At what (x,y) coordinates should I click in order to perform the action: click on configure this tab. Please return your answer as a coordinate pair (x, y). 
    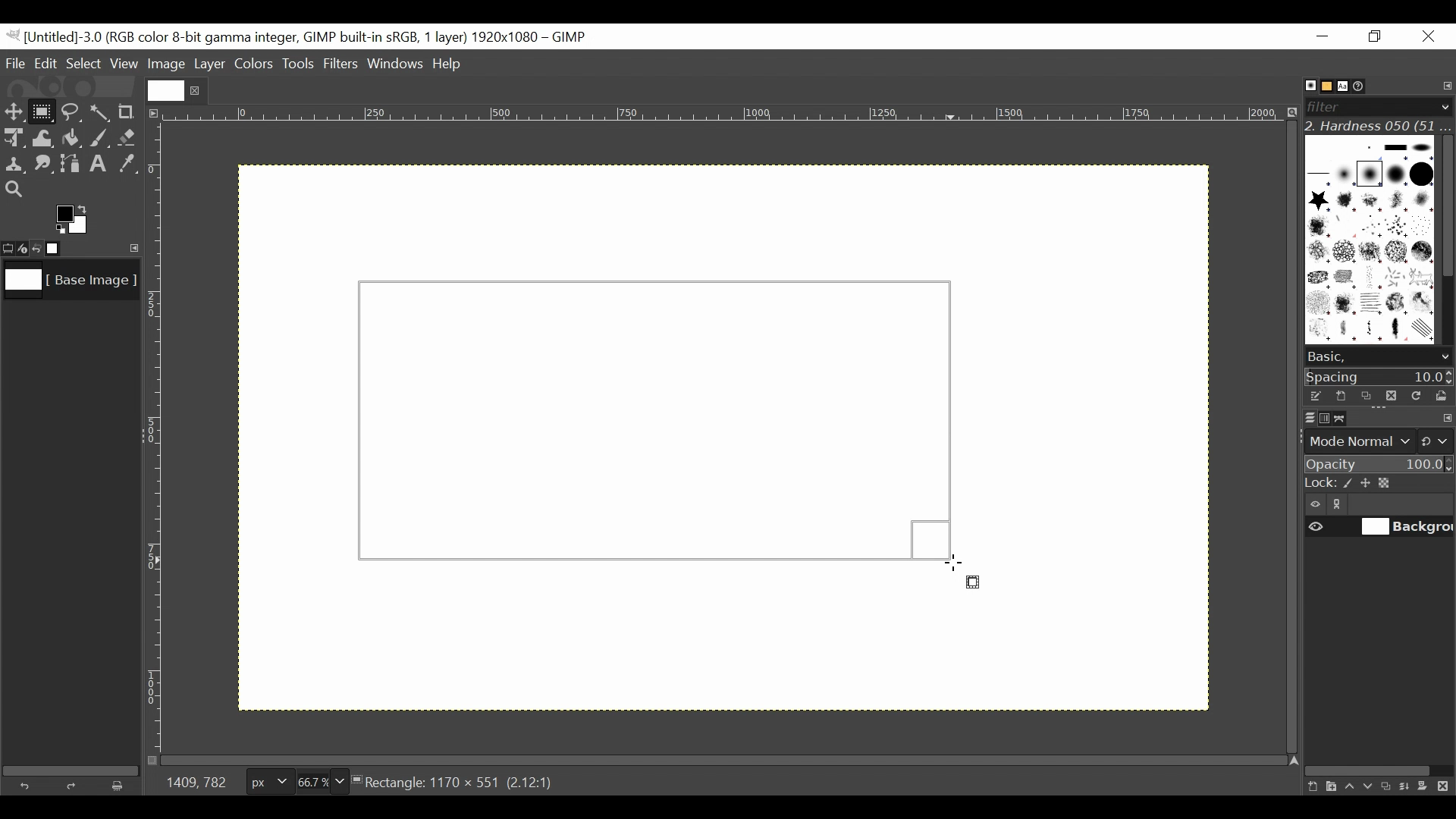
    Looking at the image, I should click on (1447, 419).